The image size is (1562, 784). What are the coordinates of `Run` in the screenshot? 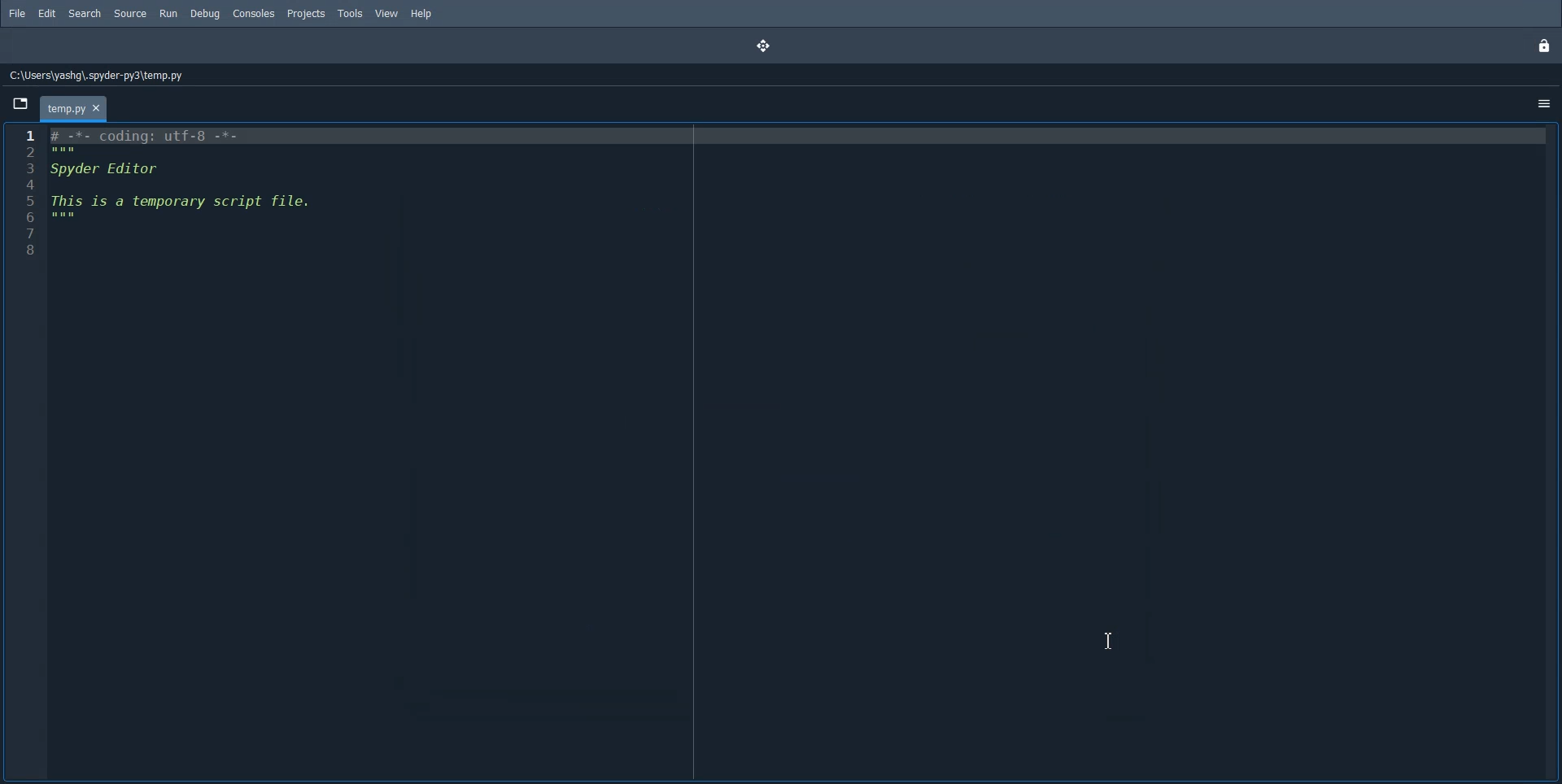 It's located at (168, 14).